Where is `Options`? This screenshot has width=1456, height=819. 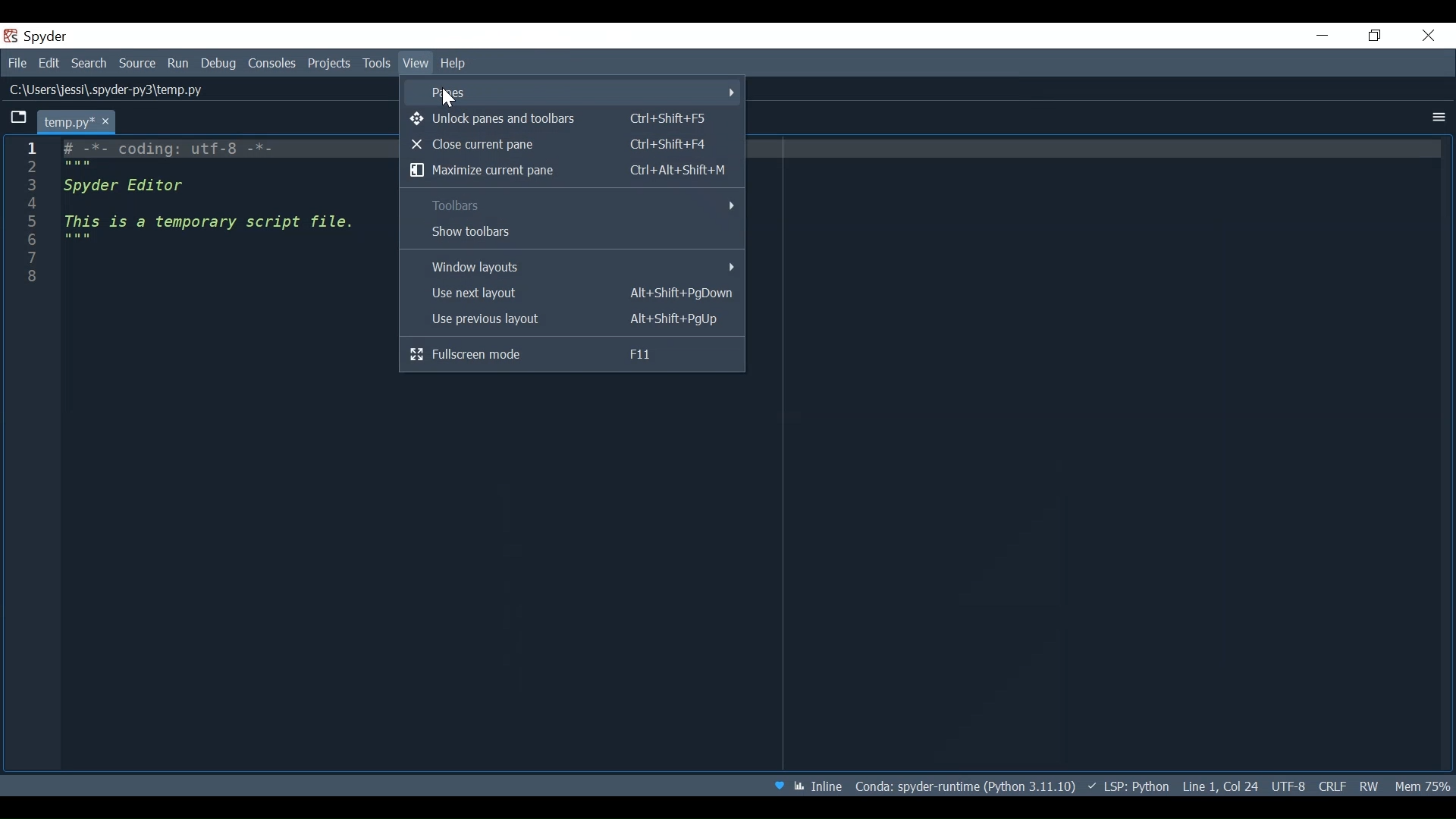 Options is located at coordinates (1436, 117).